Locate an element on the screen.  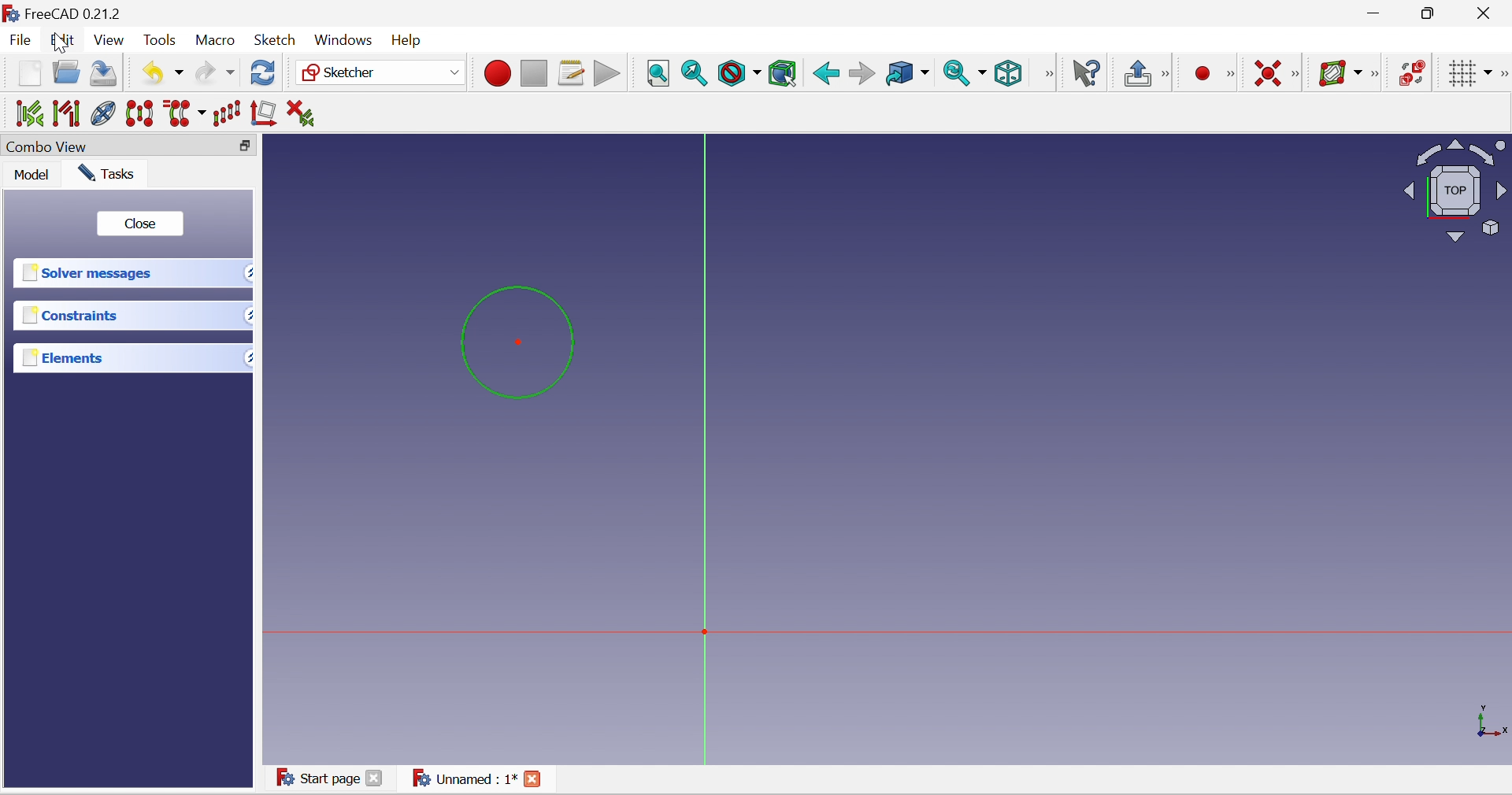
Open is located at coordinates (64, 71).